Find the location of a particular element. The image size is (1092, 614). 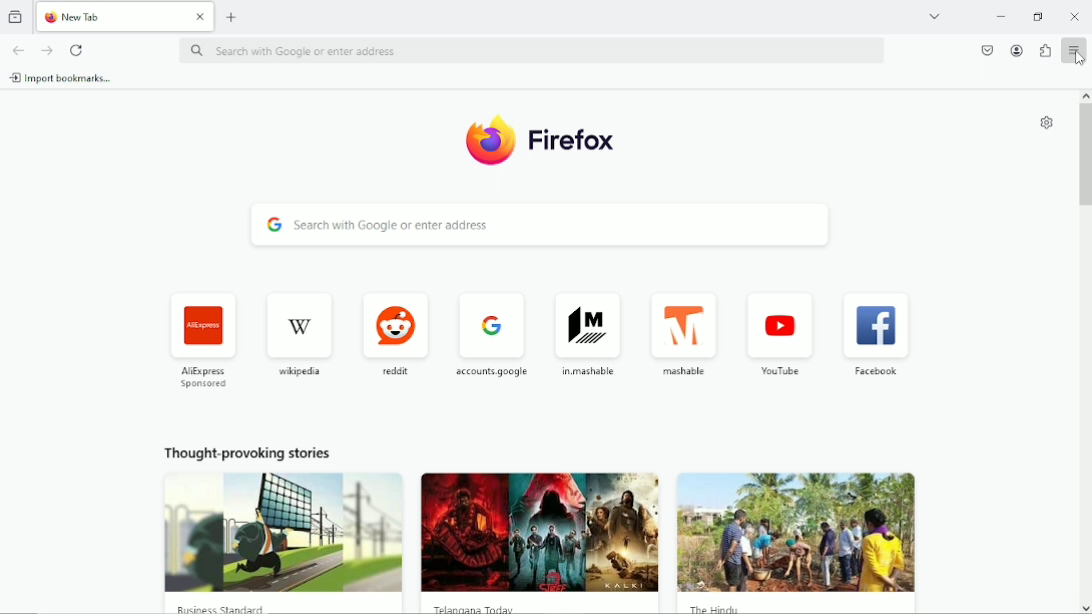

reload the current tab is located at coordinates (78, 50).